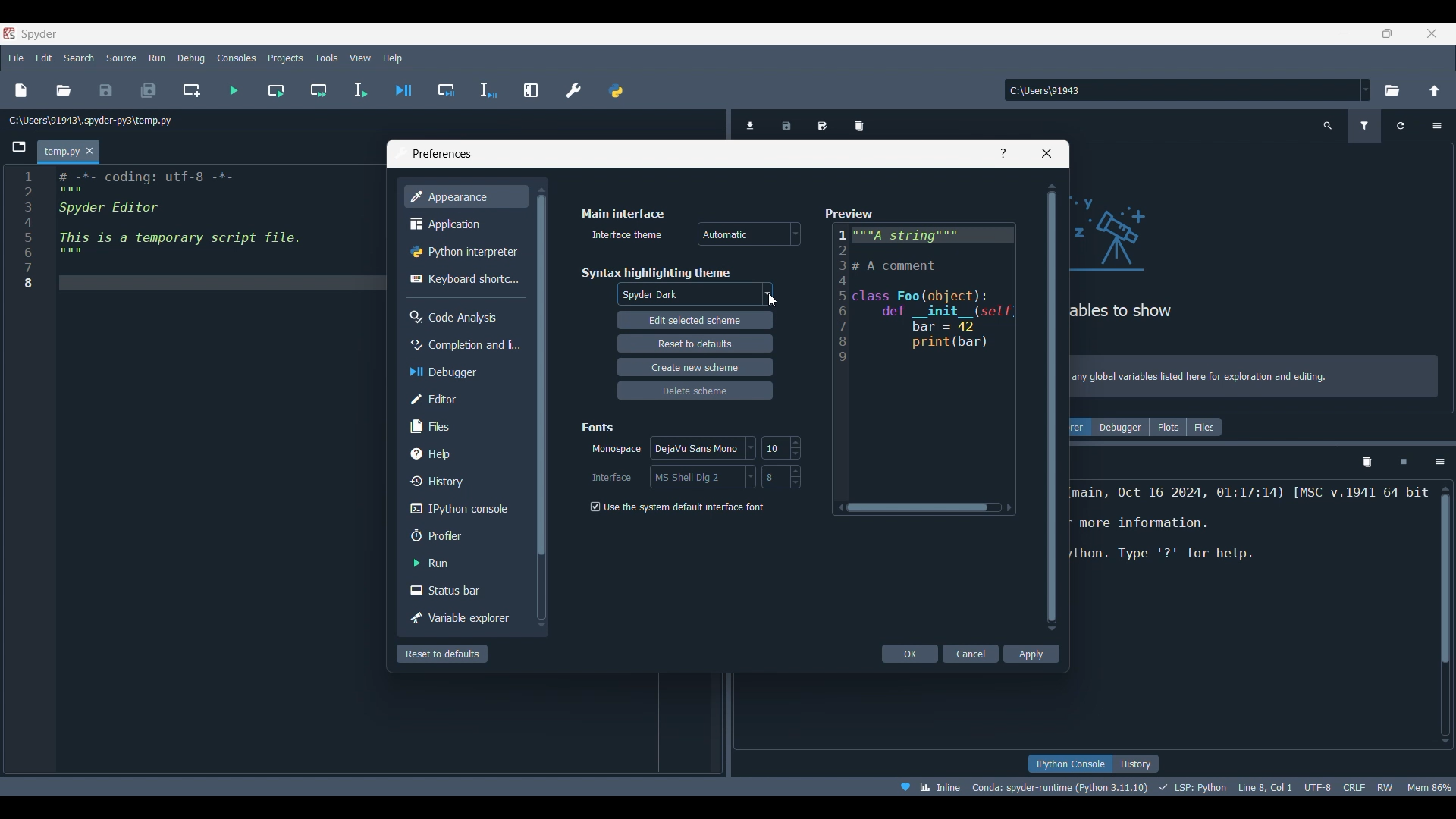 The height and width of the screenshot is (819, 1456). Describe the element at coordinates (772, 300) in the screenshot. I see `cursor` at that location.